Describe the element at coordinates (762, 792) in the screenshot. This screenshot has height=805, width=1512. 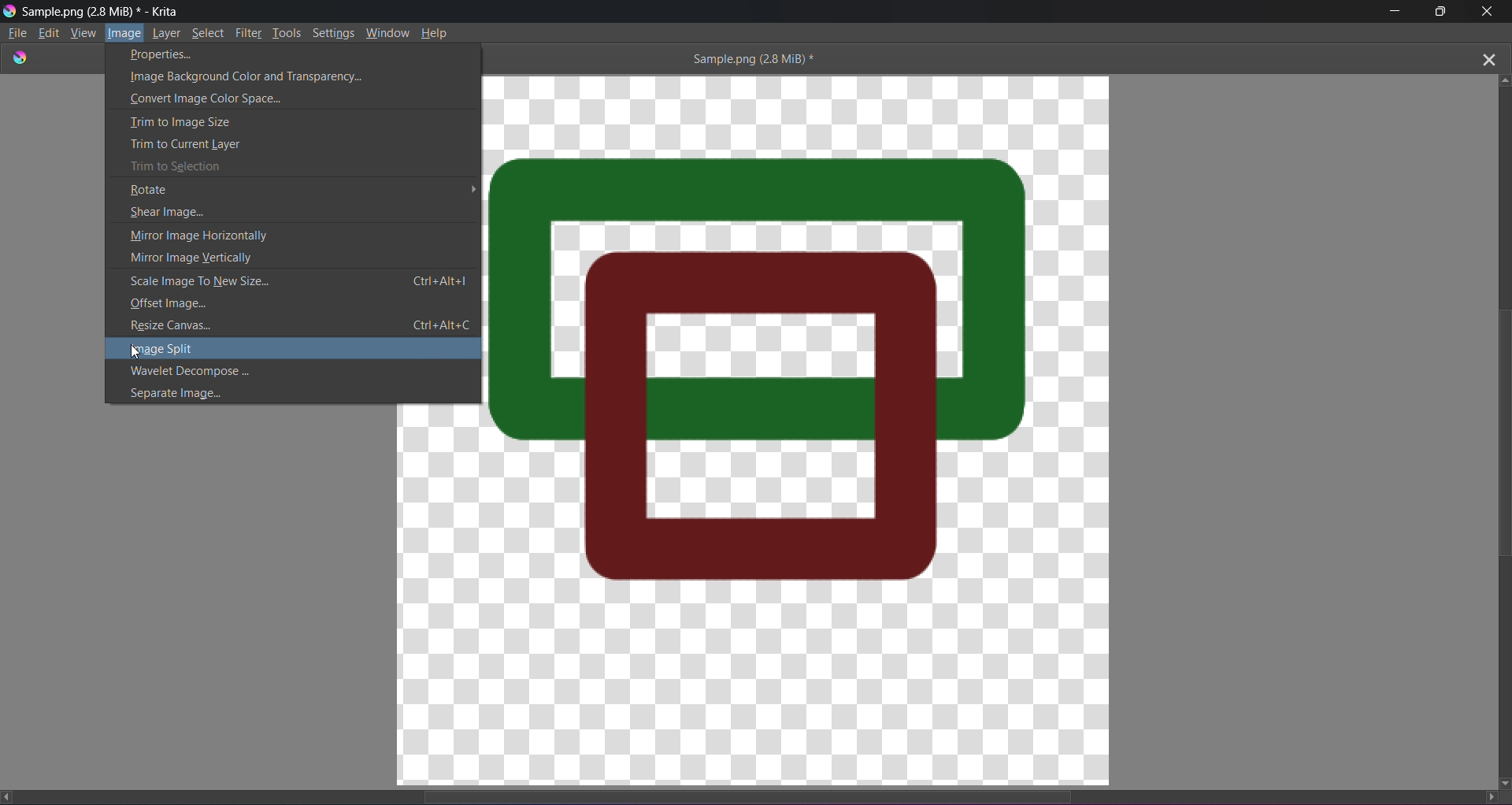
I see `Horizontal scroll bar` at that location.